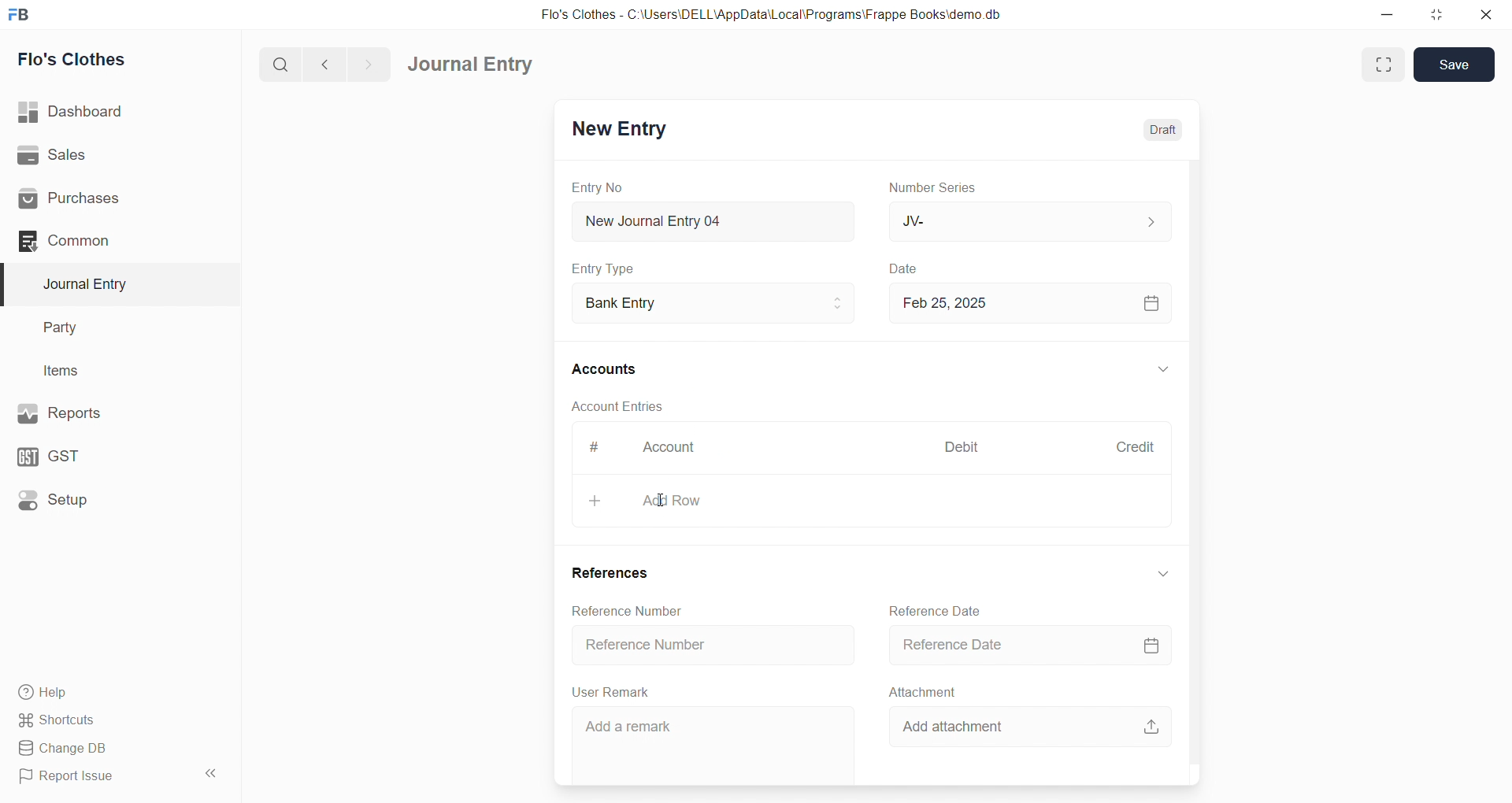  I want to click on Reference Date, so click(939, 609).